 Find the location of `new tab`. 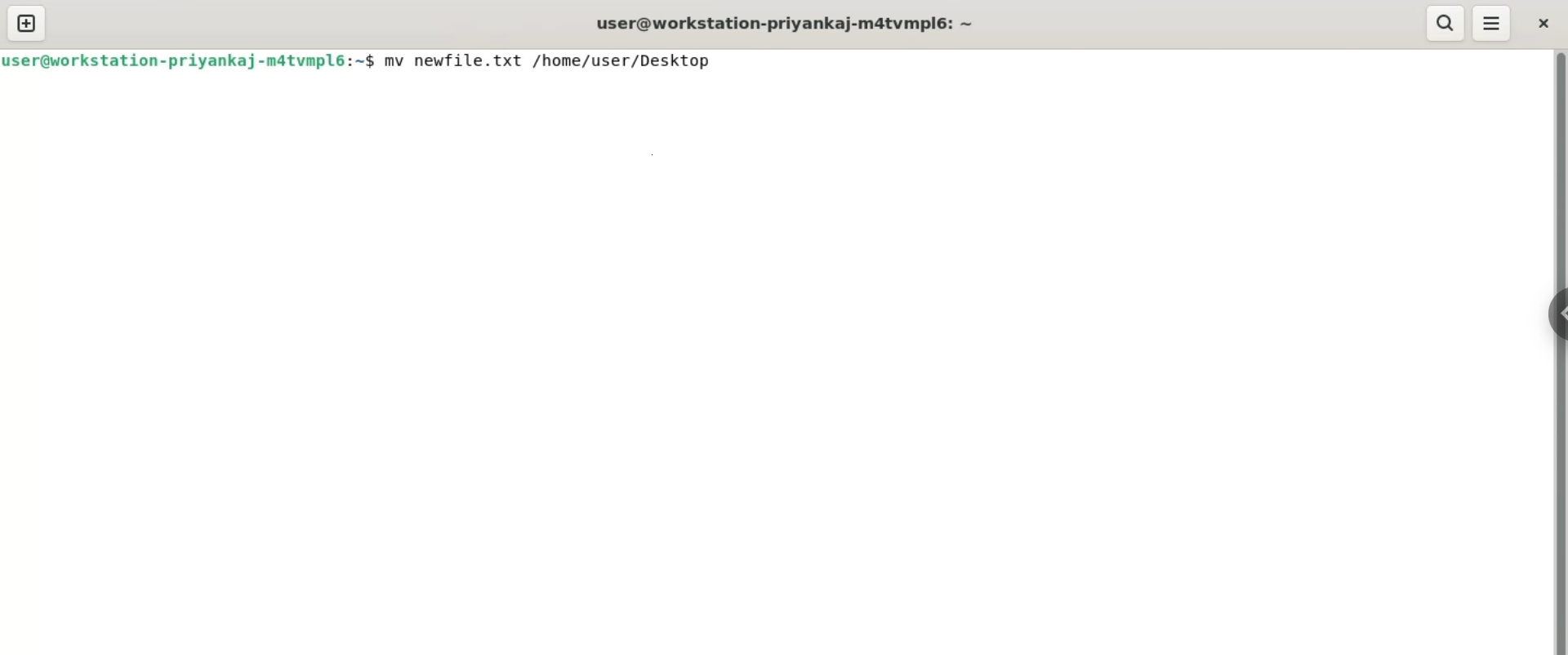

new tab is located at coordinates (25, 24).